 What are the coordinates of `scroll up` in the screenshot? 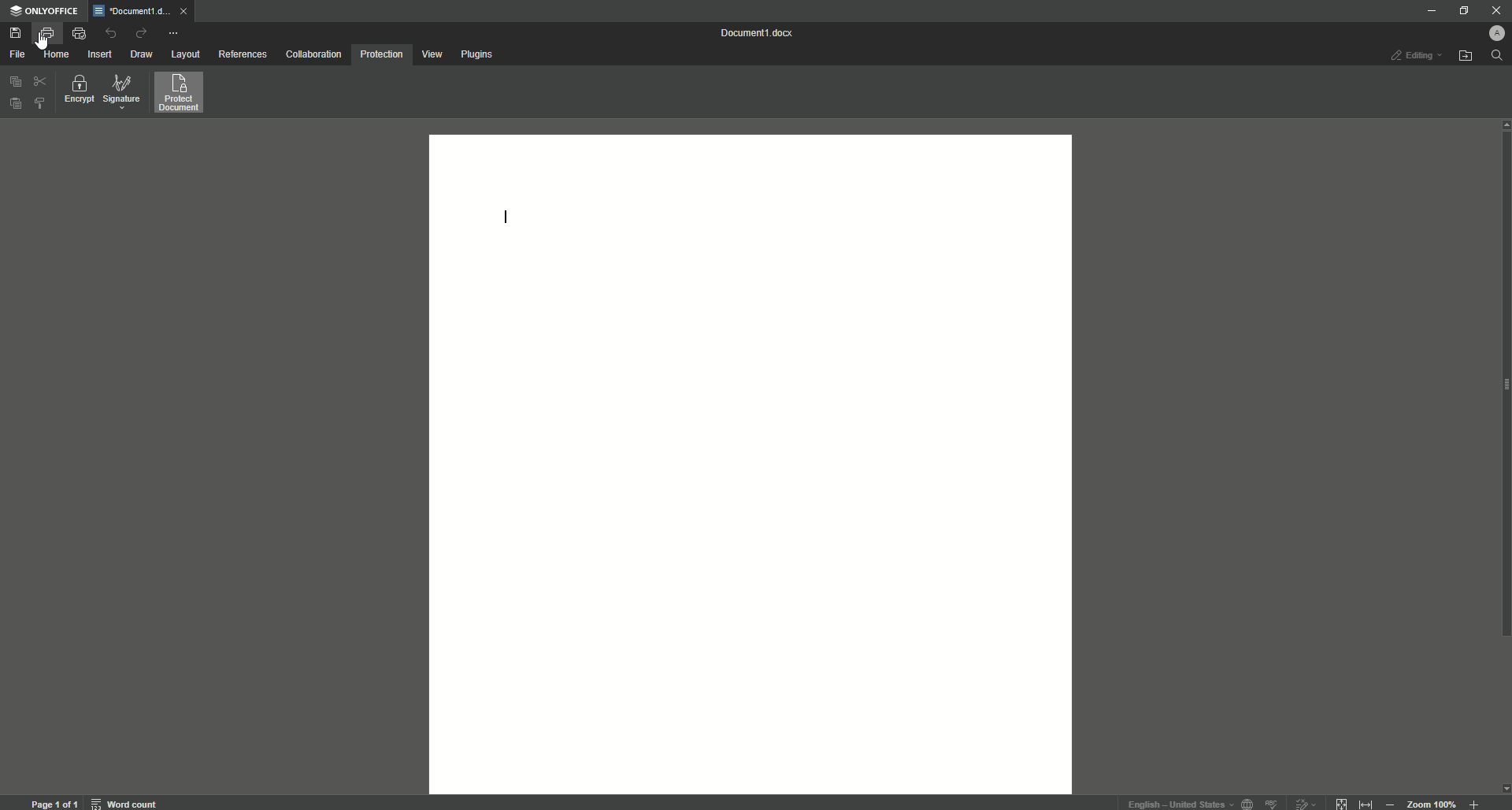 It's located at (1503, 125).